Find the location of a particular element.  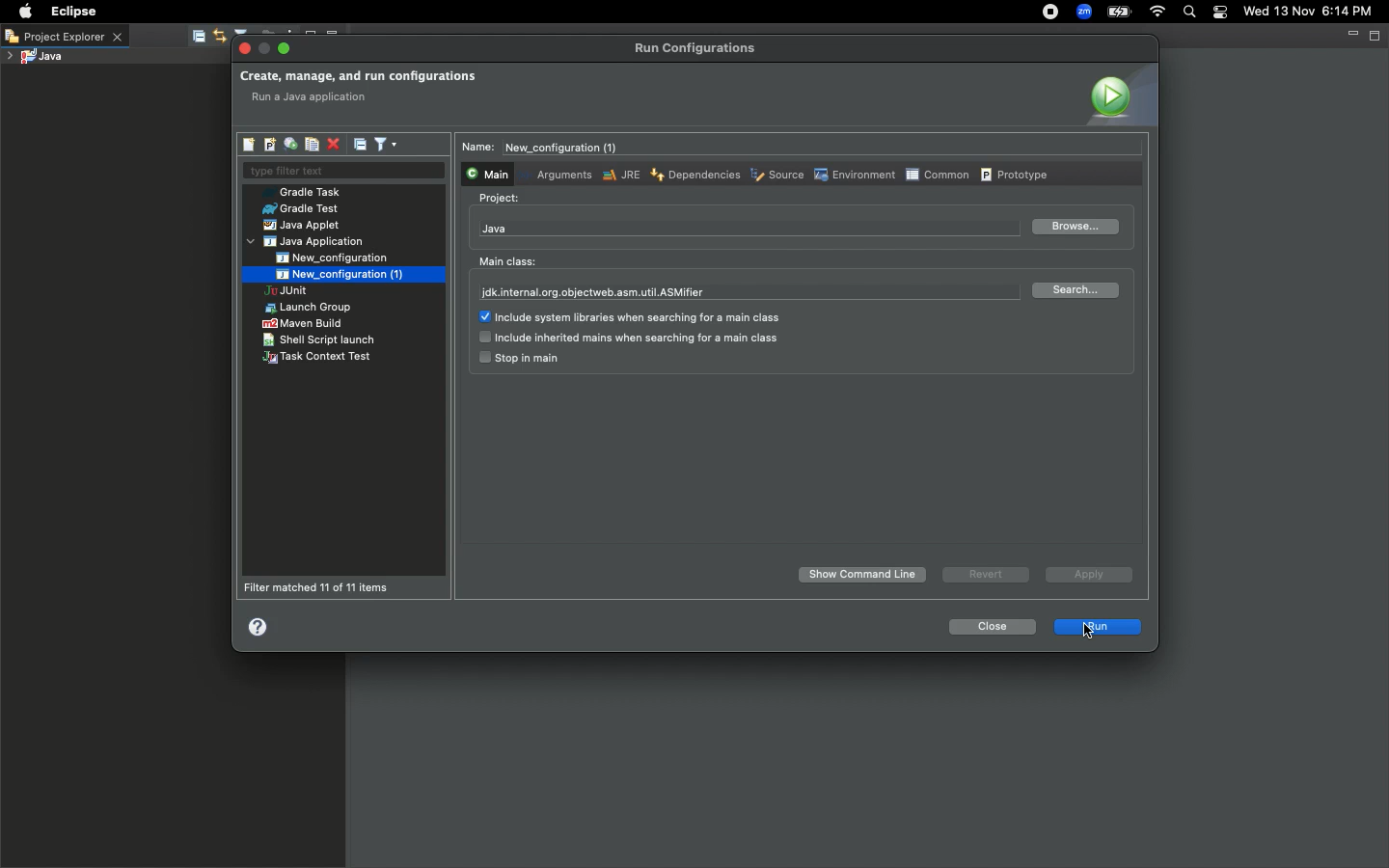

Maximize is located at coordinates (286, 48).